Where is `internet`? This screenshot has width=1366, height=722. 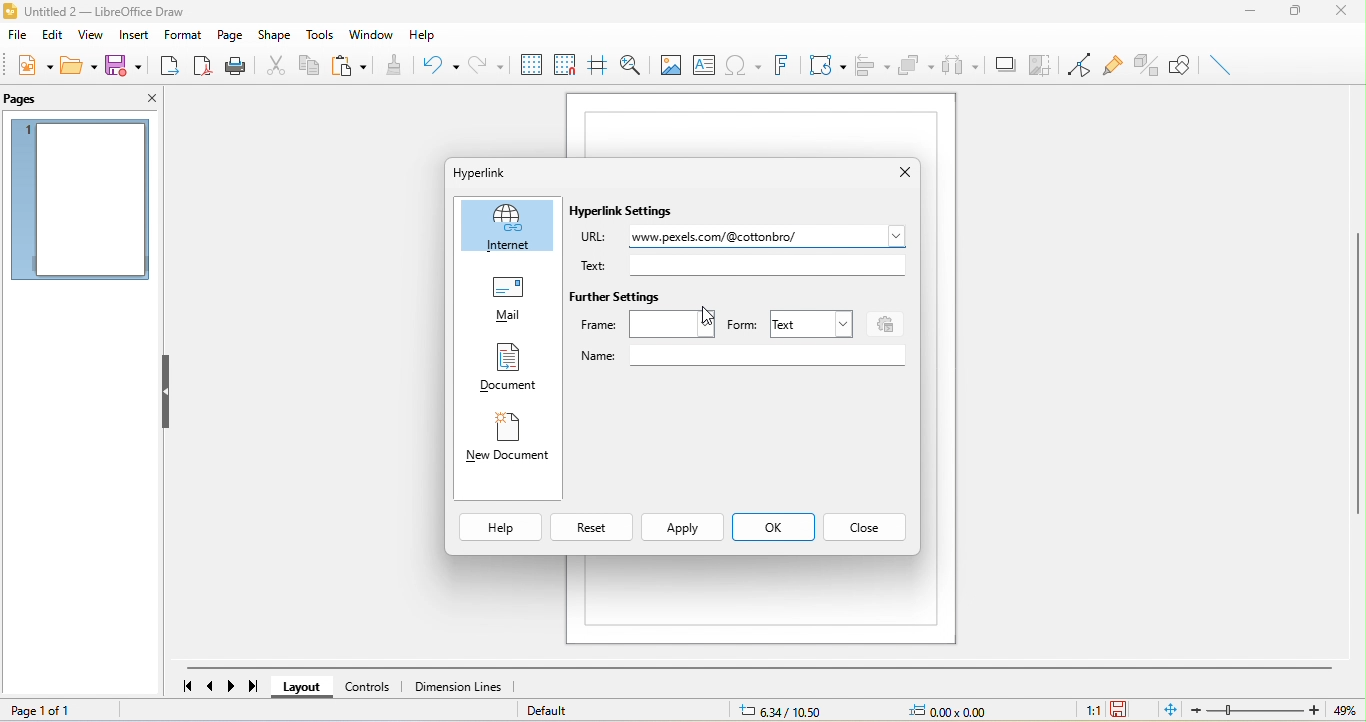 internet is located at coordinates (505, 226).